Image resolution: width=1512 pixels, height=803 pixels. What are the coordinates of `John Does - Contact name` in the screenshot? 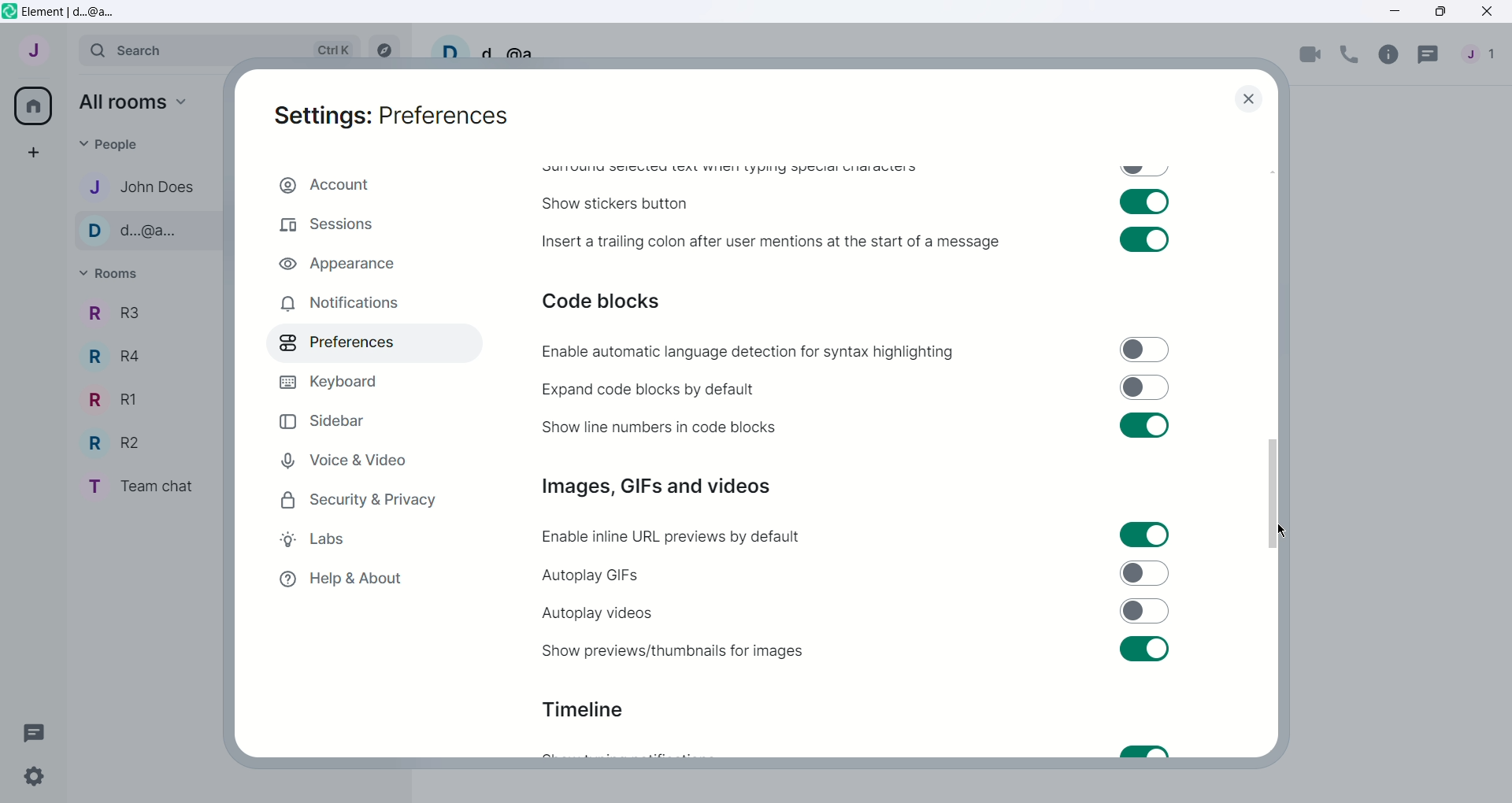 It's located at (150, 187).